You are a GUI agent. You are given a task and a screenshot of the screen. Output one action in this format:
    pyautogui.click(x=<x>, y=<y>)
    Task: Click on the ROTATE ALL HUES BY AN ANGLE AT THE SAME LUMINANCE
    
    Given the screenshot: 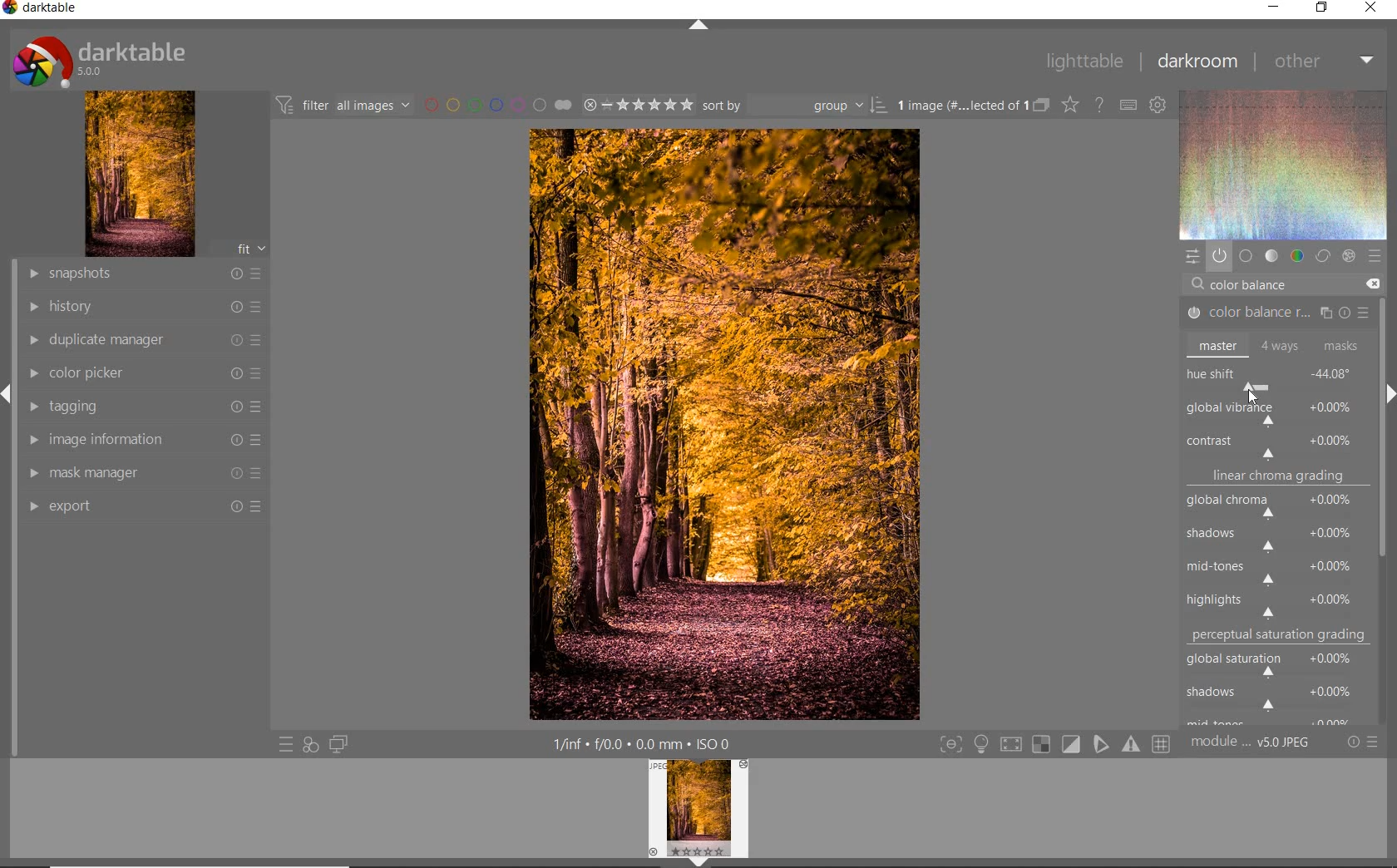 What is the action you would take?
    pyautogui.click(x=1252, y=416)
    